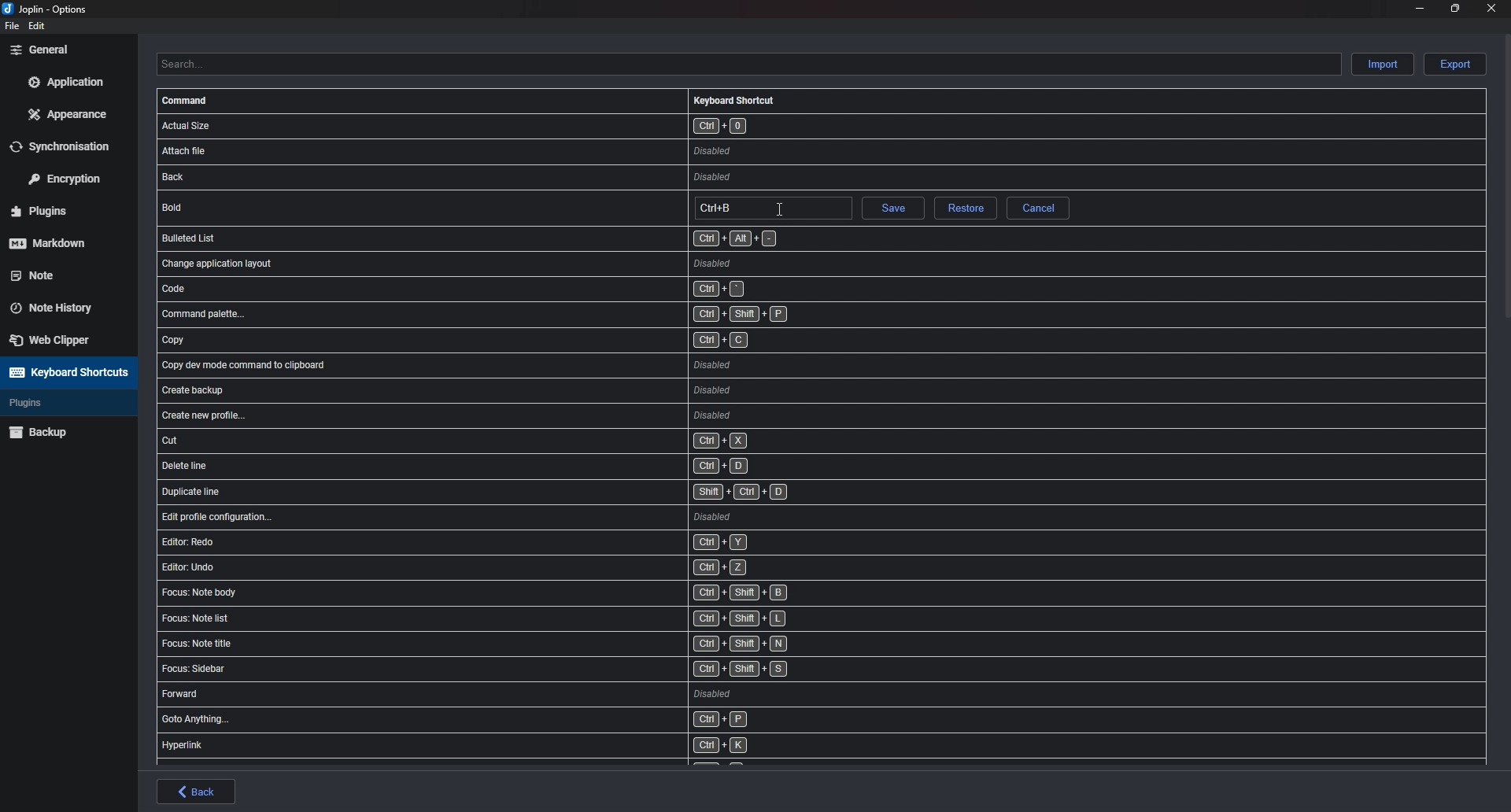 The image size is (1511, 812). Describe the element at coordinates (519, 695) in the screenshot. I see `shortcut` at that location.